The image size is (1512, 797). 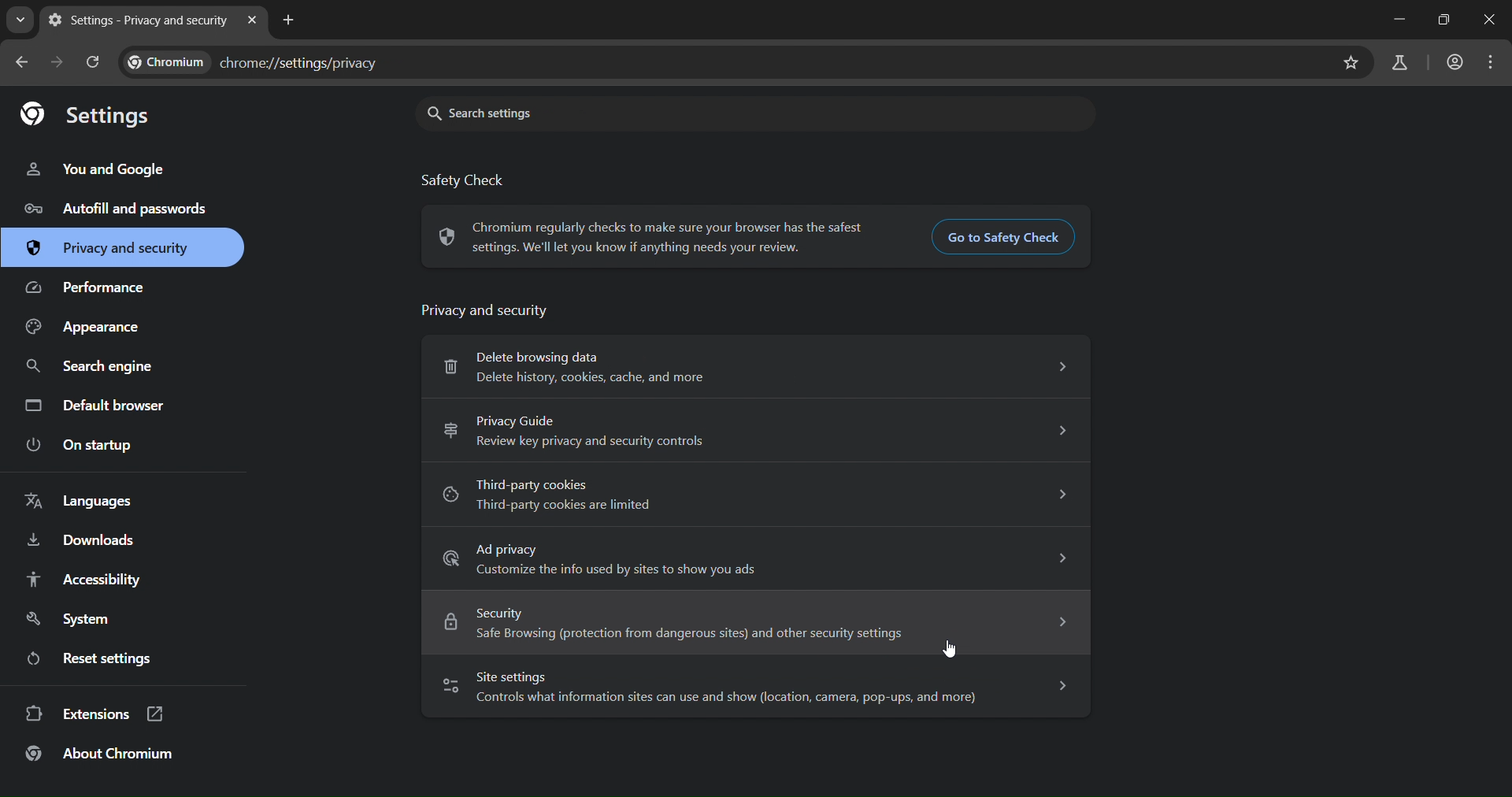 I want to click on privacy and security, so click(x=110, y=246).